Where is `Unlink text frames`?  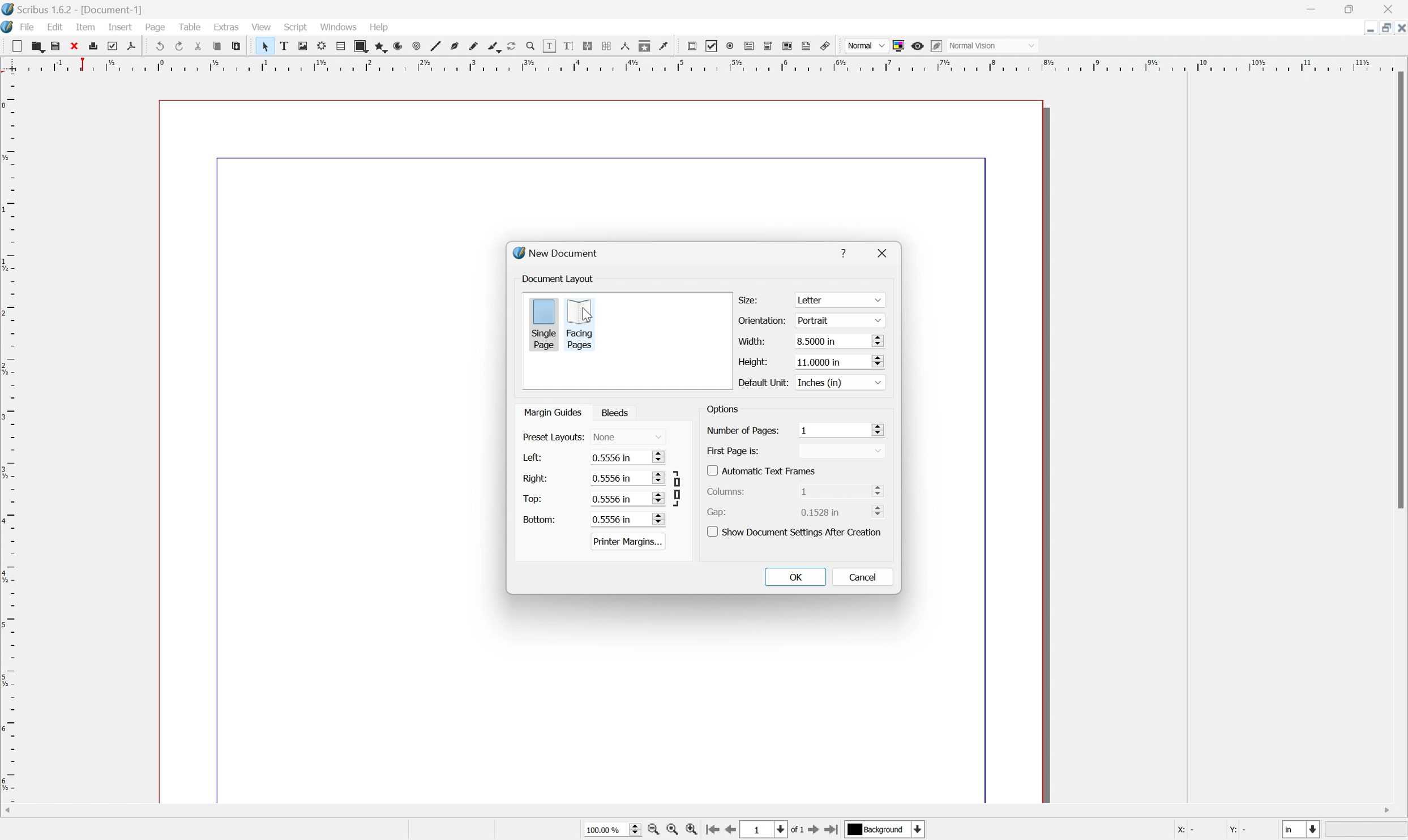
Unlink text frames is located at coordinates (609, 47).